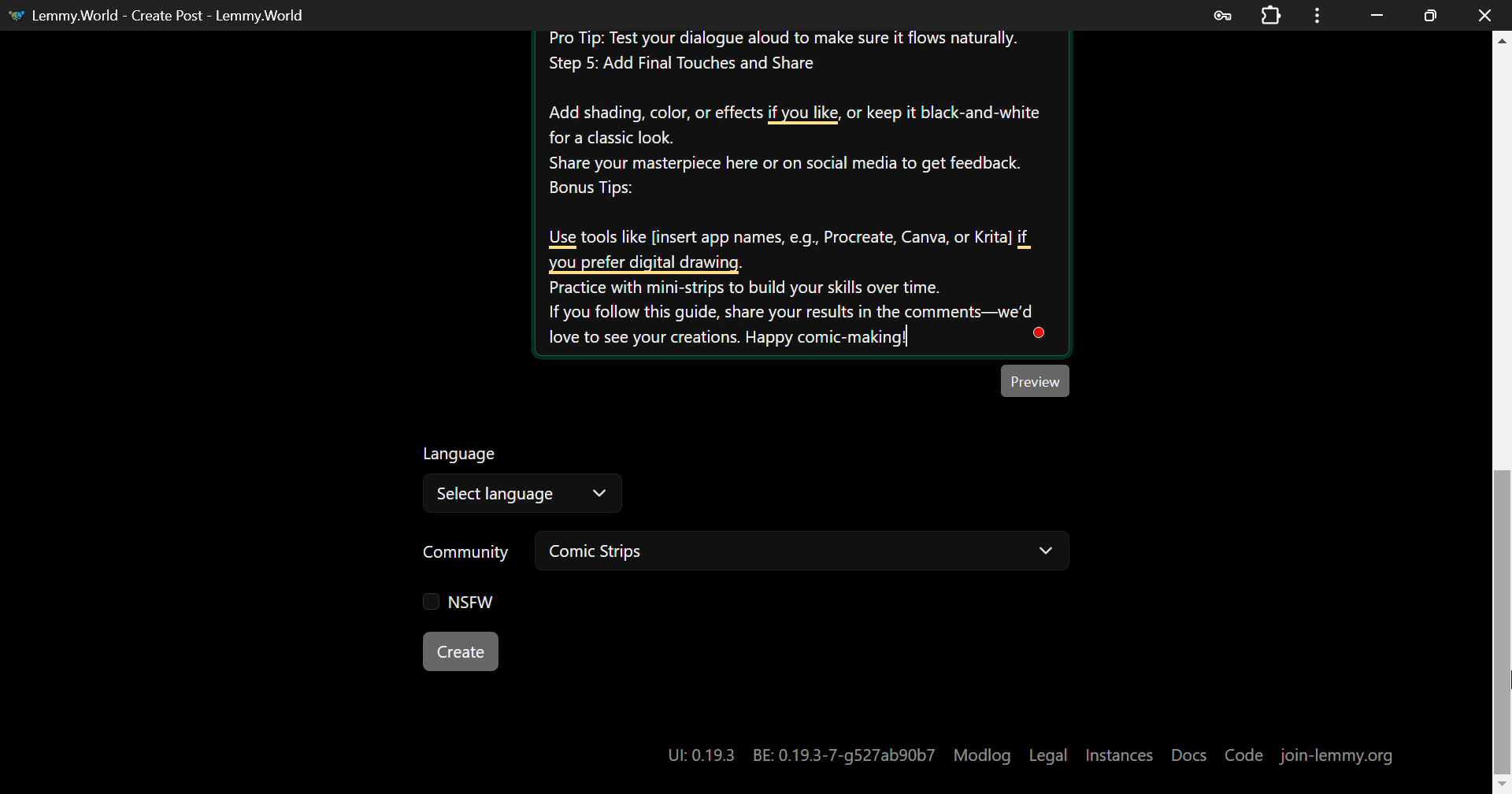  What do you see at coordinates (572, 477) in the screenshot?
I see `Select Language` at bounding box center [572, 477].